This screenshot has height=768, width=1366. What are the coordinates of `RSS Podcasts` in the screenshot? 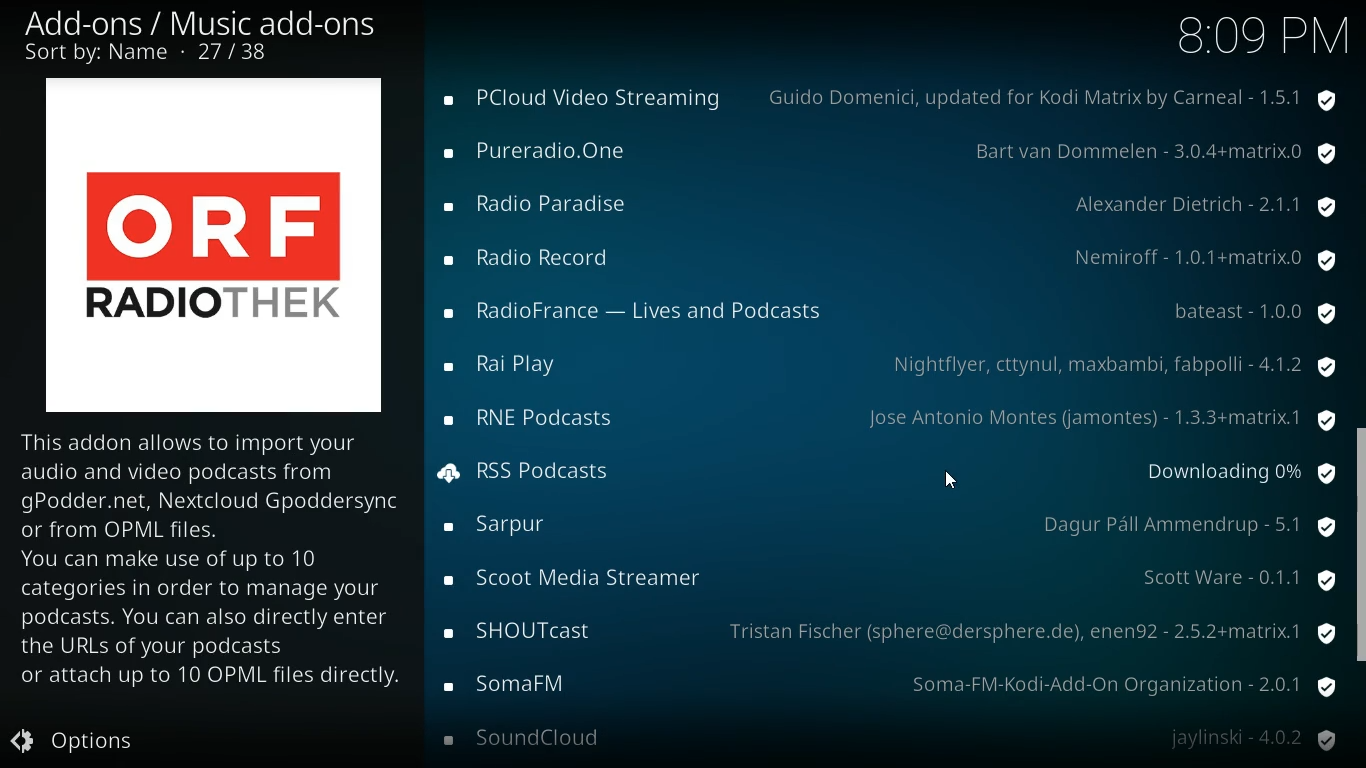 It's located at (552, 471).